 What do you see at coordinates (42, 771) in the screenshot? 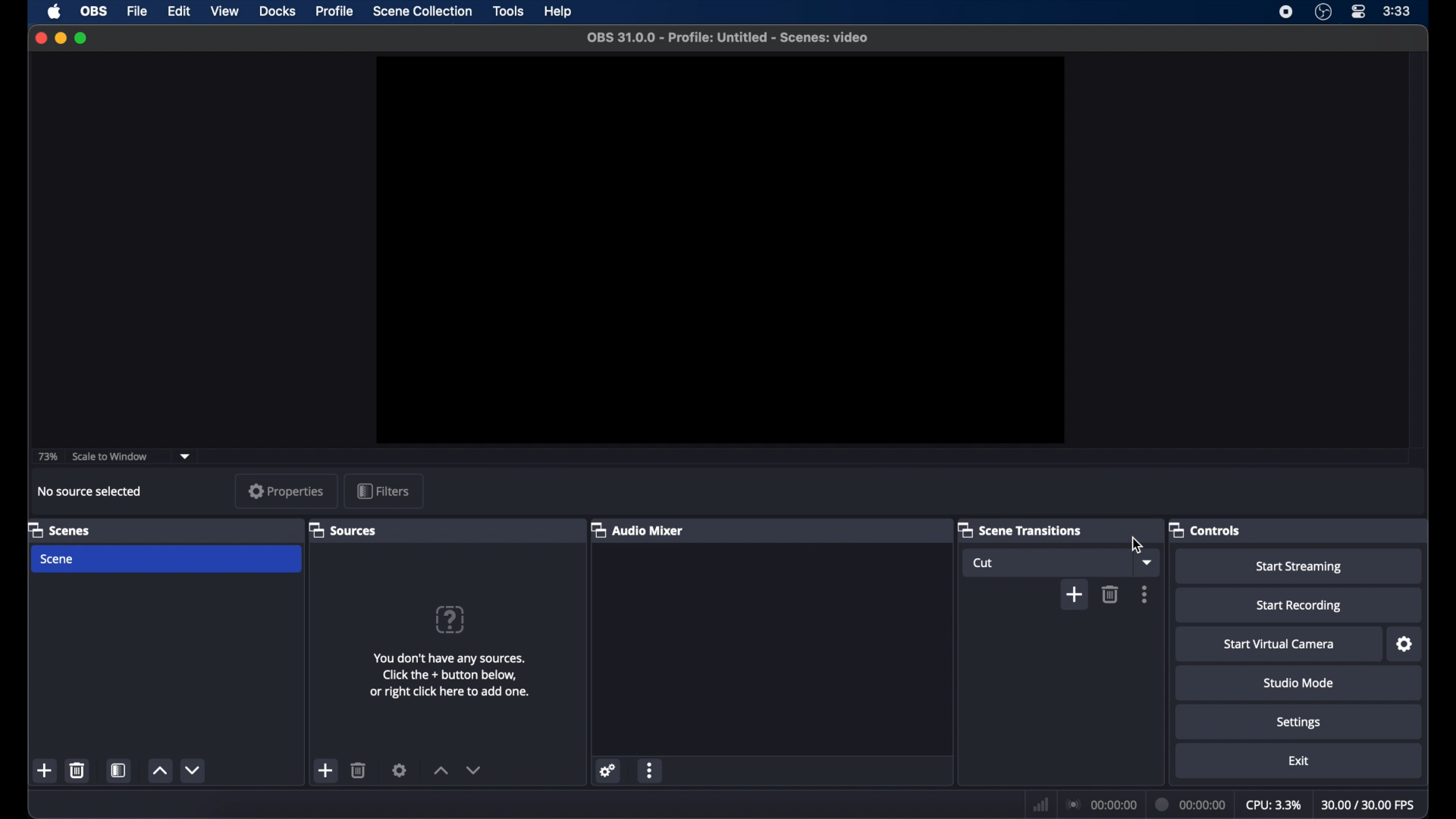
I see `add` at bounding box center [42, 771].